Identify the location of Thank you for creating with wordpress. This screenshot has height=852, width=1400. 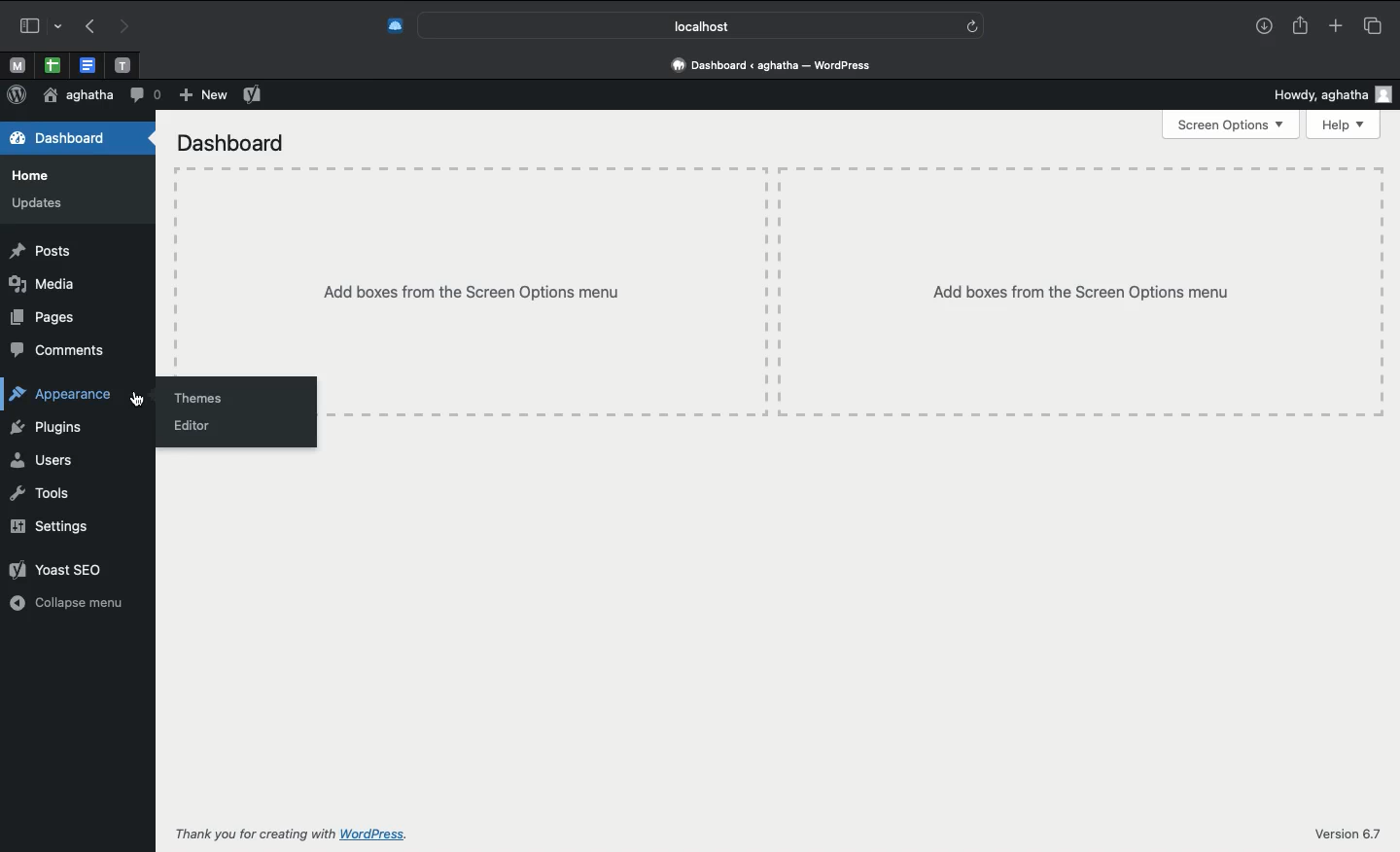
(297, 834).